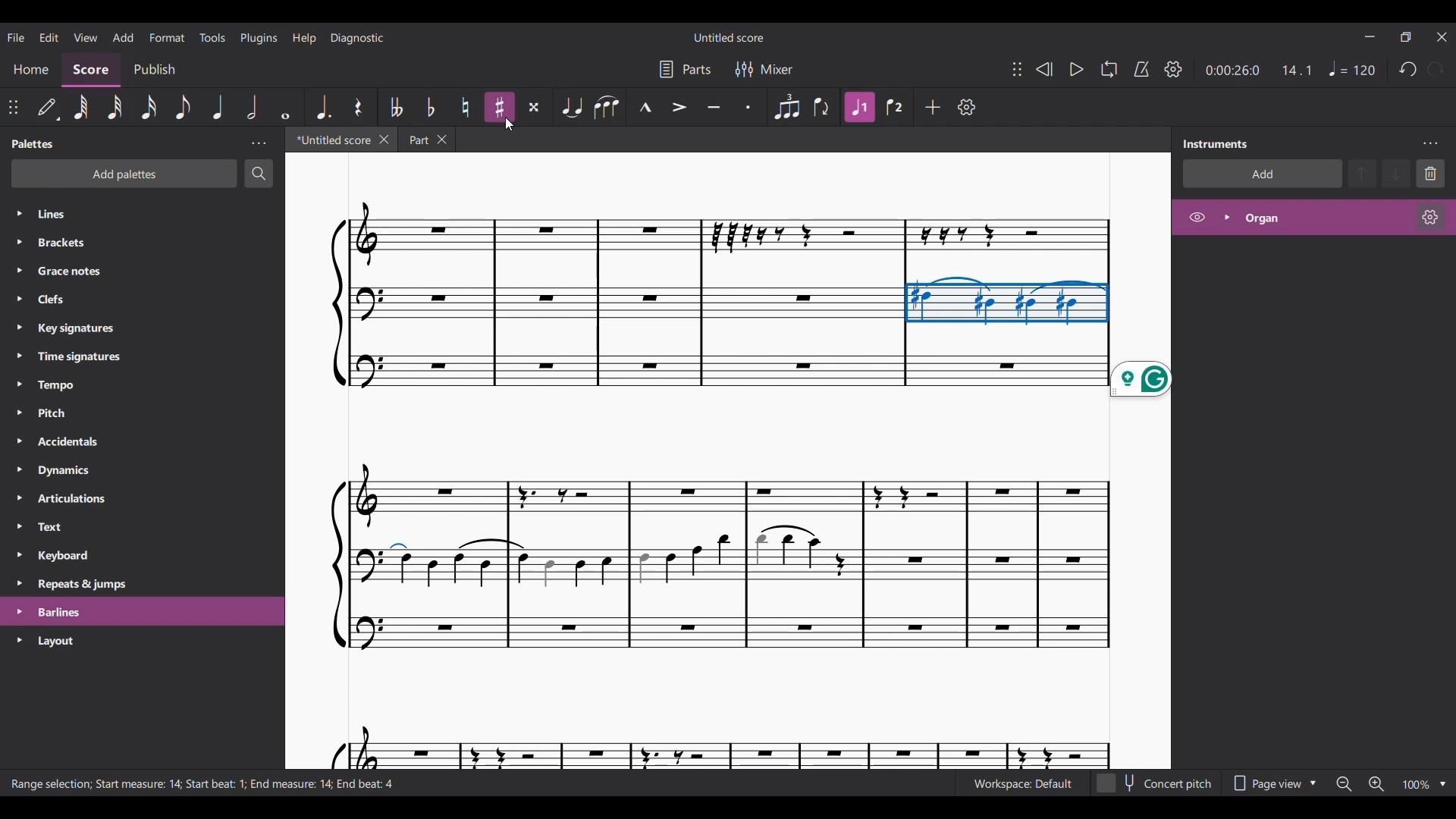 This screenshot has height=819, width=1456. I want to click on Page view options, so click(1270, 783).